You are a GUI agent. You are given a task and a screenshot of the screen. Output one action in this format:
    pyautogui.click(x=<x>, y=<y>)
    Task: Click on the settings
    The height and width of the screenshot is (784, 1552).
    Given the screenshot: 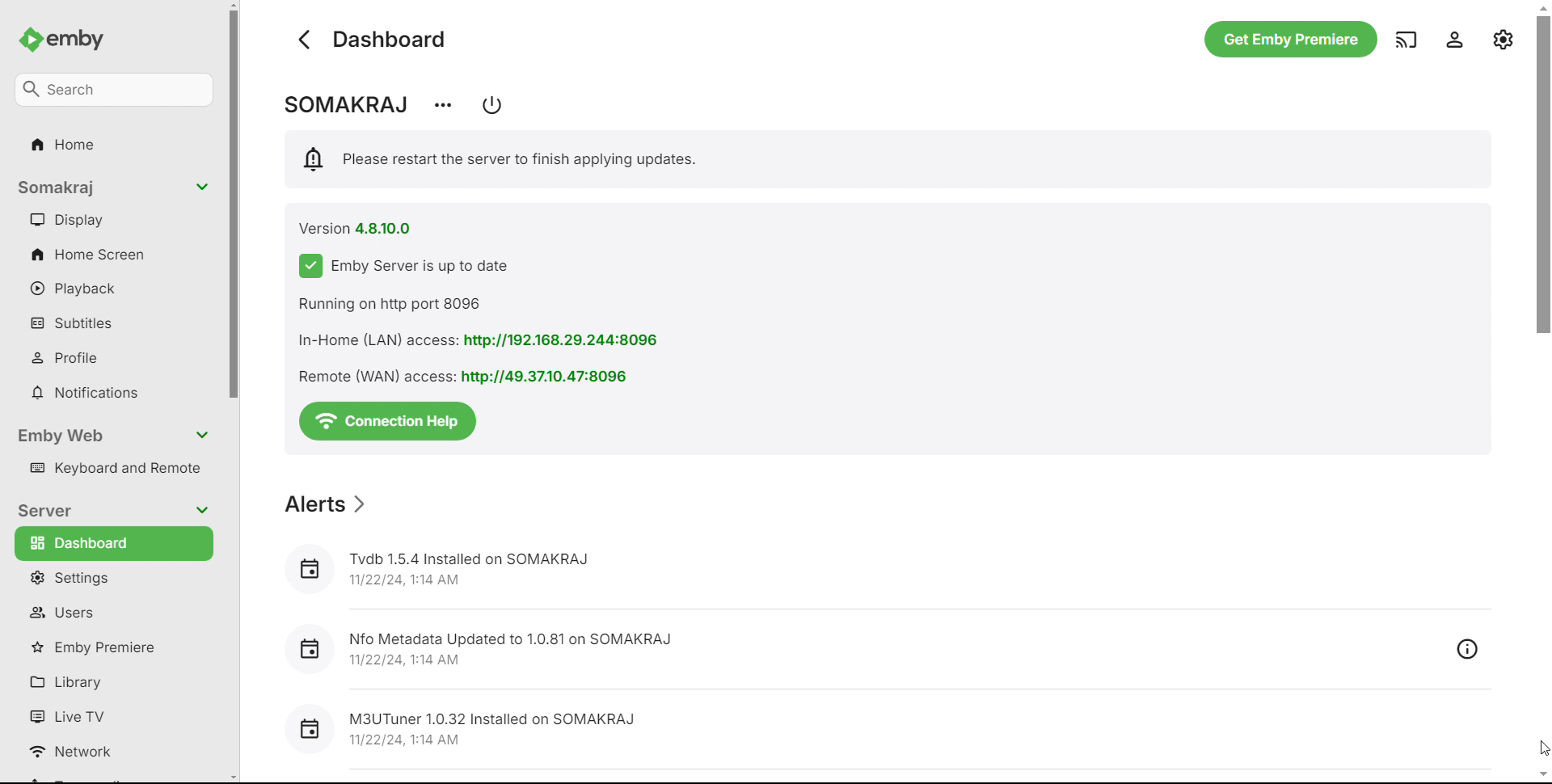 What is the action you would take?
    pyautogui.click(x=110, y=578)
    